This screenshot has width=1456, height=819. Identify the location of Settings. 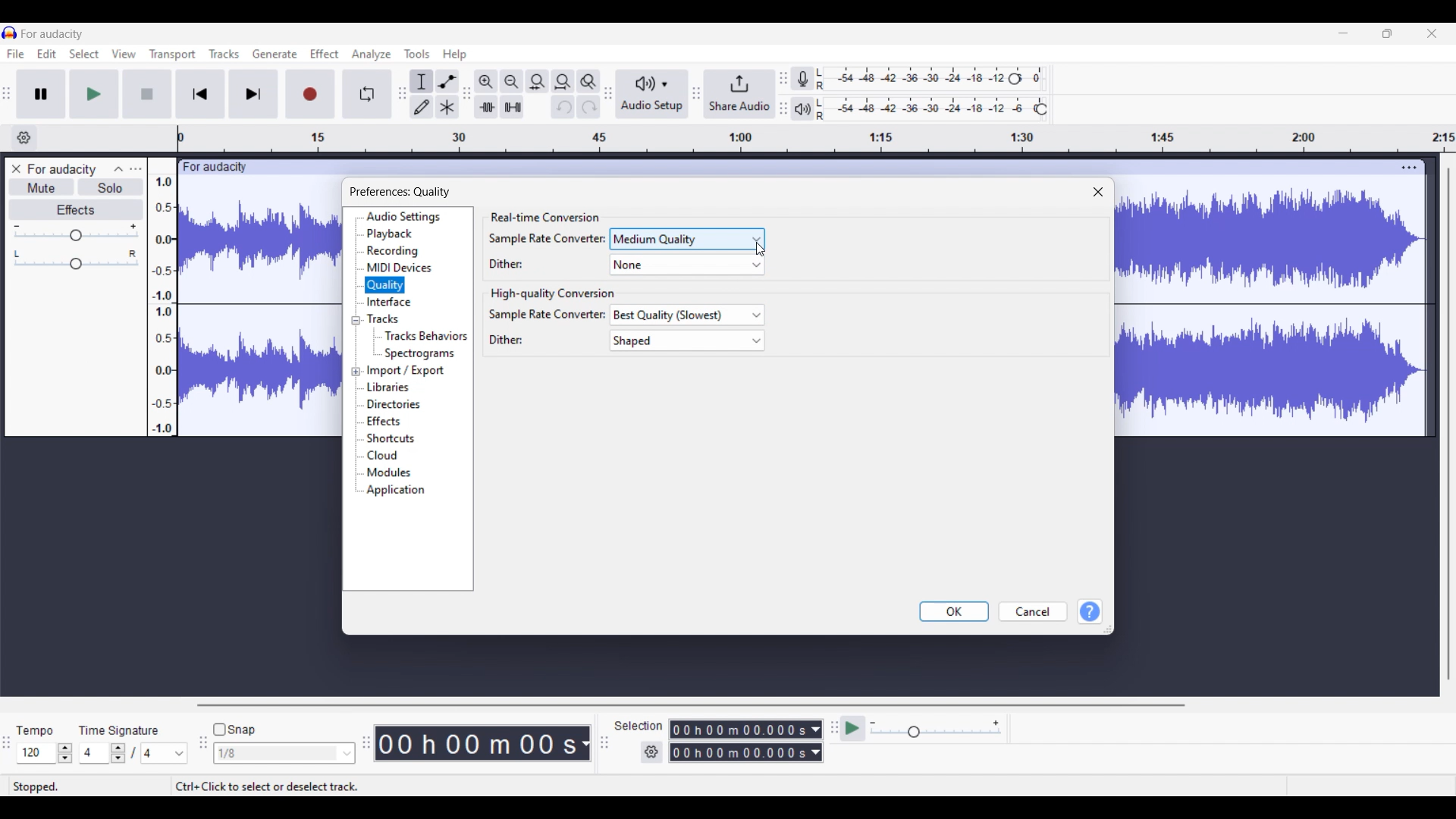
(651, 752).